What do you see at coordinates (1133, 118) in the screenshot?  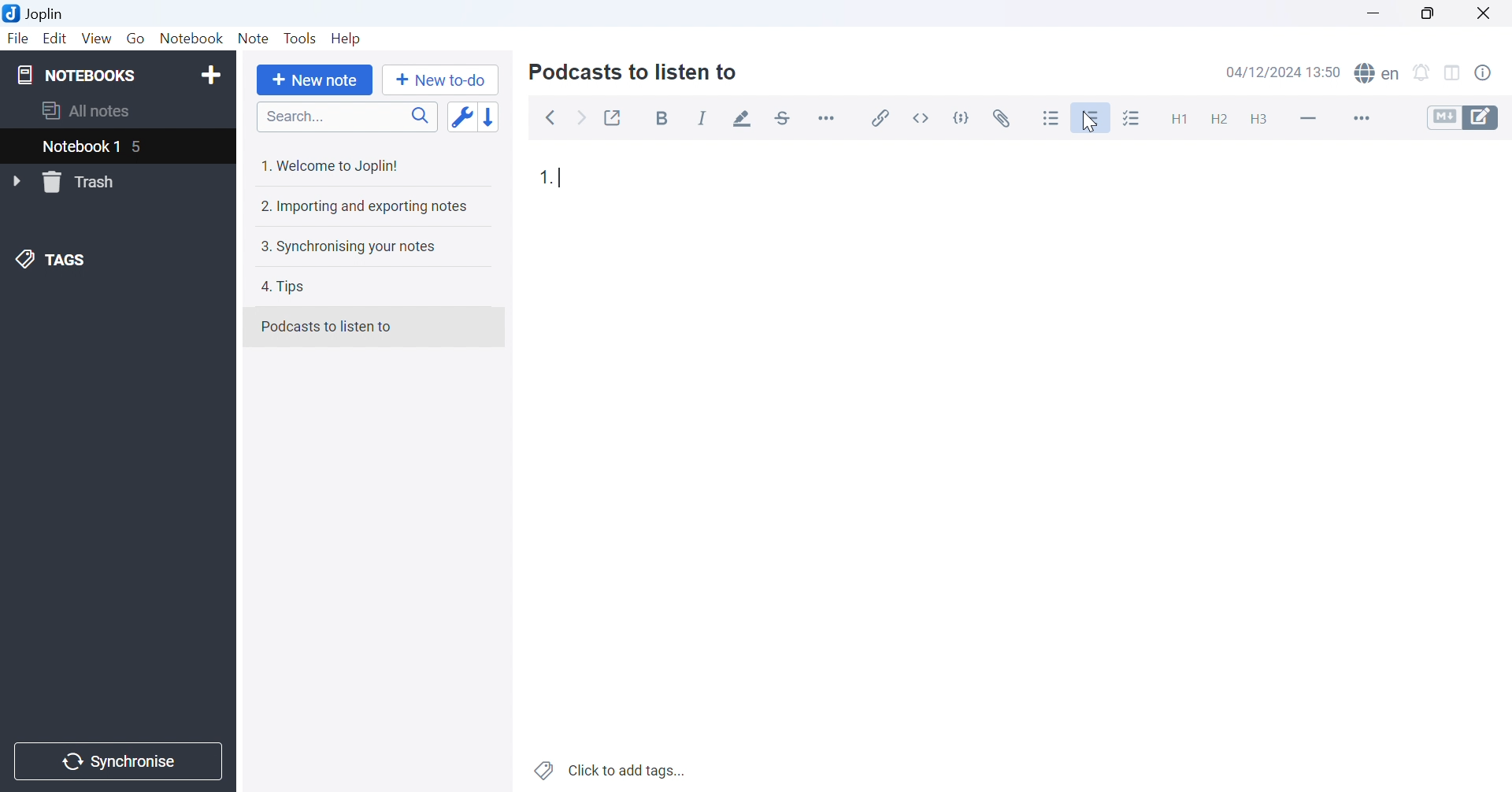 I see `Checkbox list` at bounding box center [1133, 118].